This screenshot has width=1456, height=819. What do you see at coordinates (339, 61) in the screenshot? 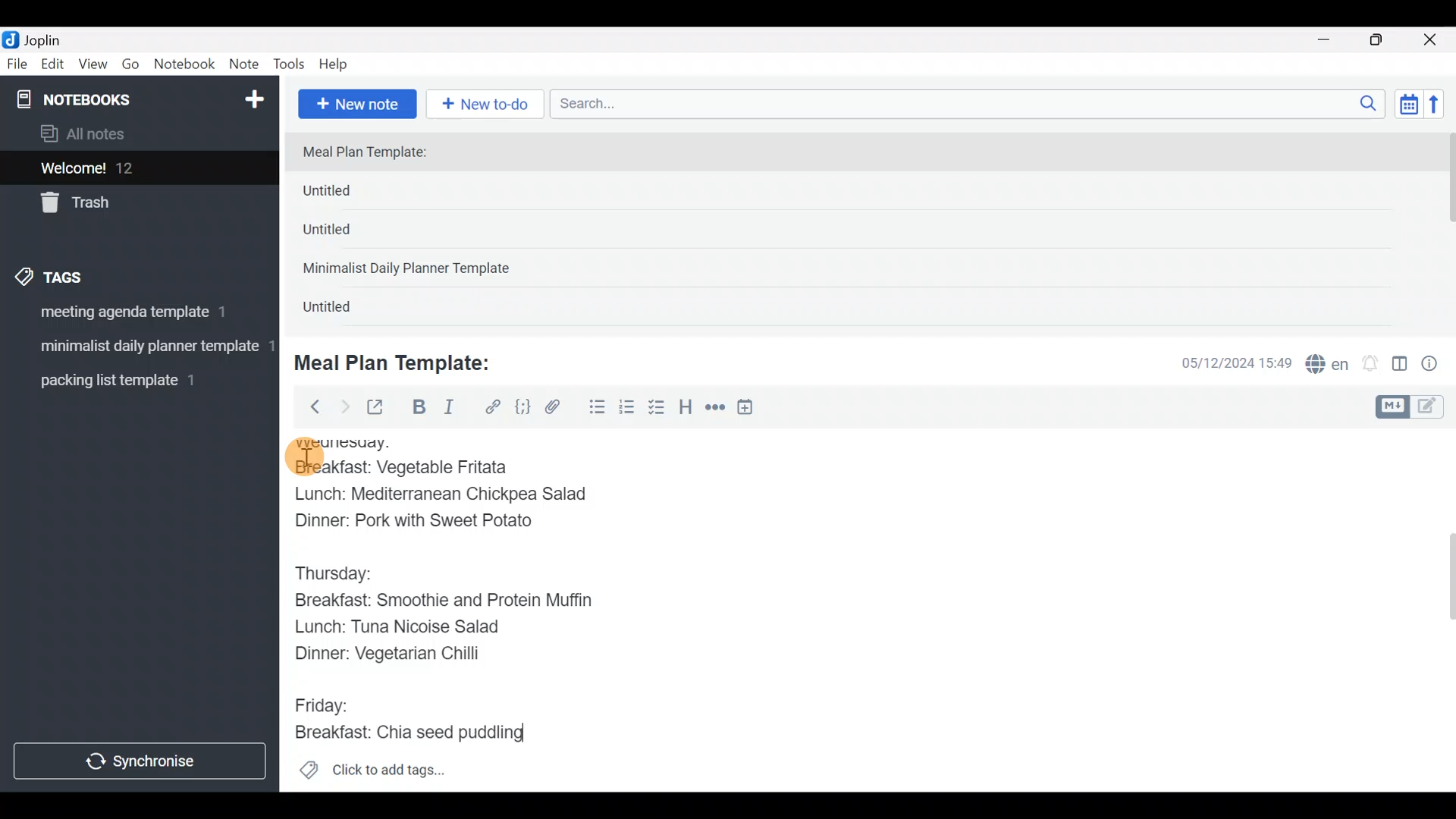
I see `Help` at bounding box center [339, 61].